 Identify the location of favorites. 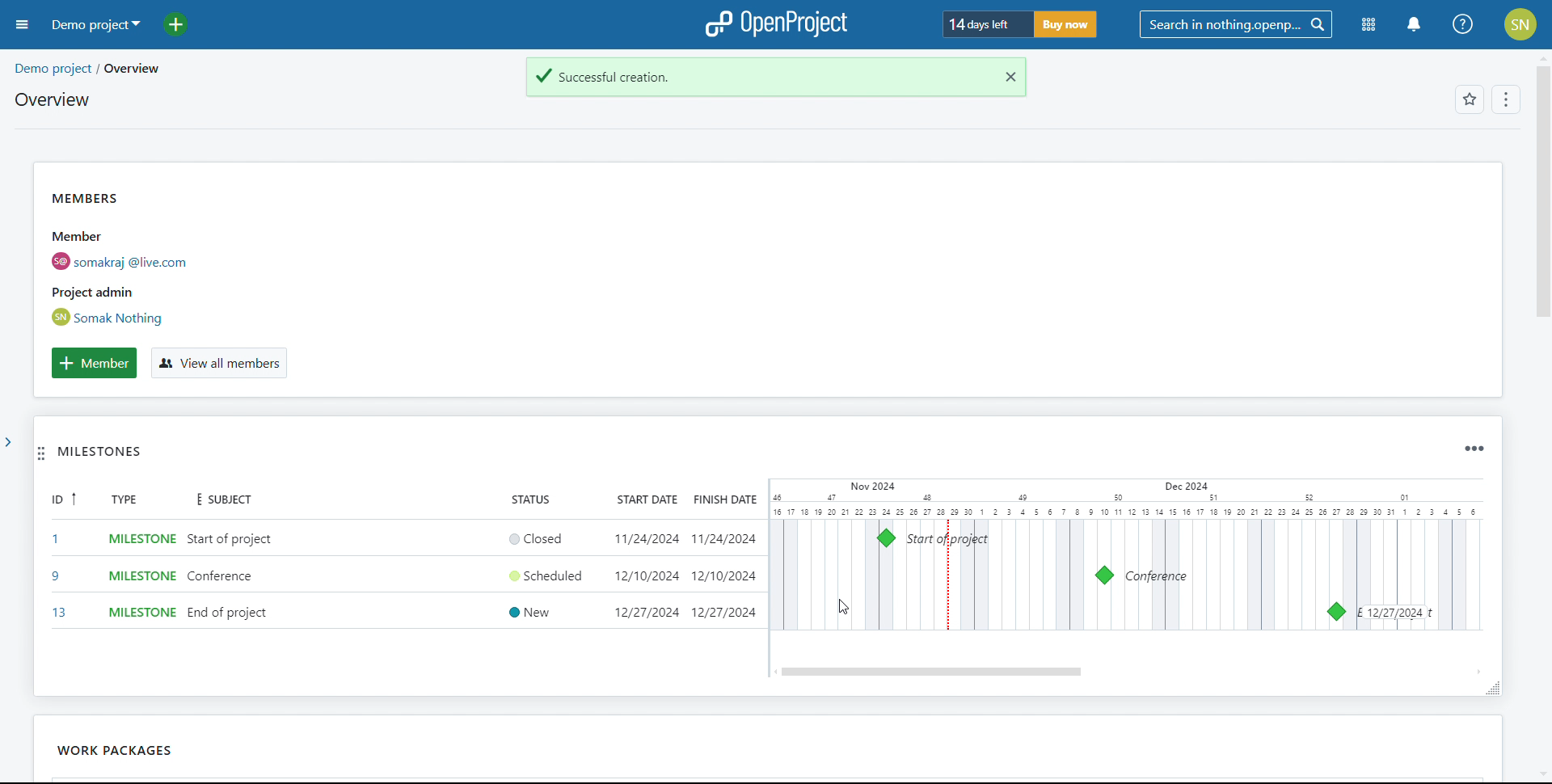
(1469, 101).